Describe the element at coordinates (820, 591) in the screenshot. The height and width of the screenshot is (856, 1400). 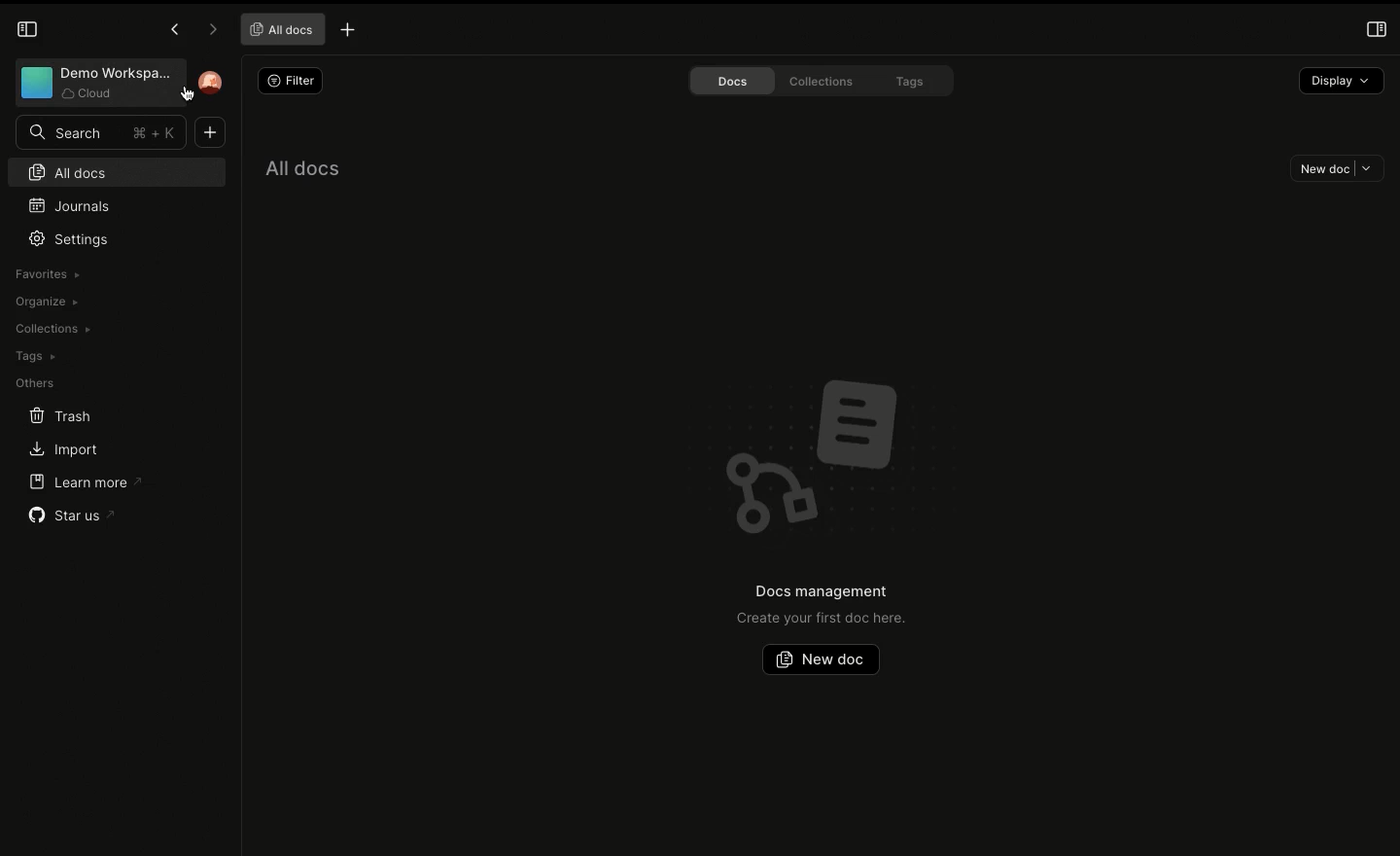
I see `Docs management` at that location.